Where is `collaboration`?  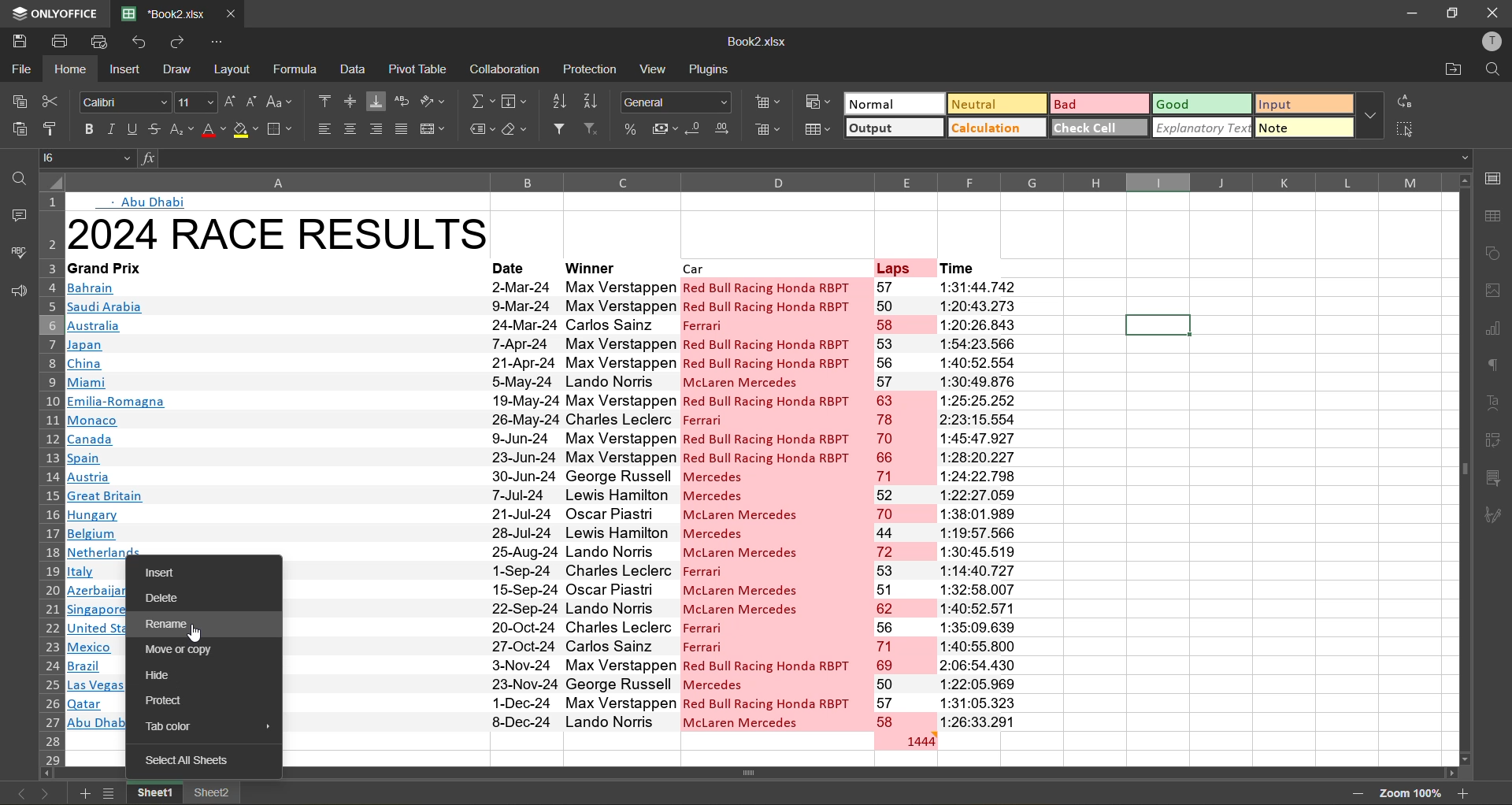 collaboration is located at coordinates (502, 70).